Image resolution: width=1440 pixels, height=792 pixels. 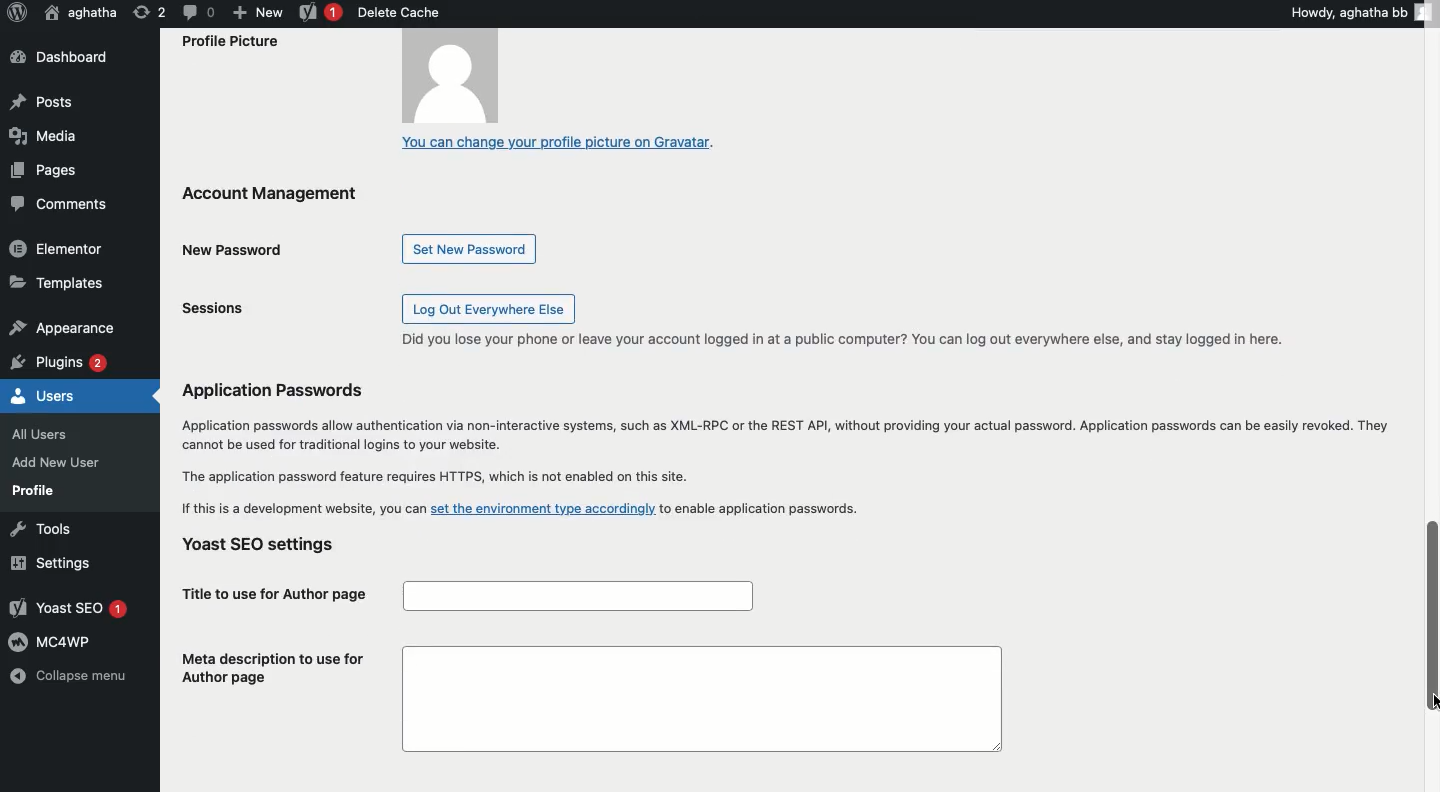 I want to click on New, so click(x=257, y=11).